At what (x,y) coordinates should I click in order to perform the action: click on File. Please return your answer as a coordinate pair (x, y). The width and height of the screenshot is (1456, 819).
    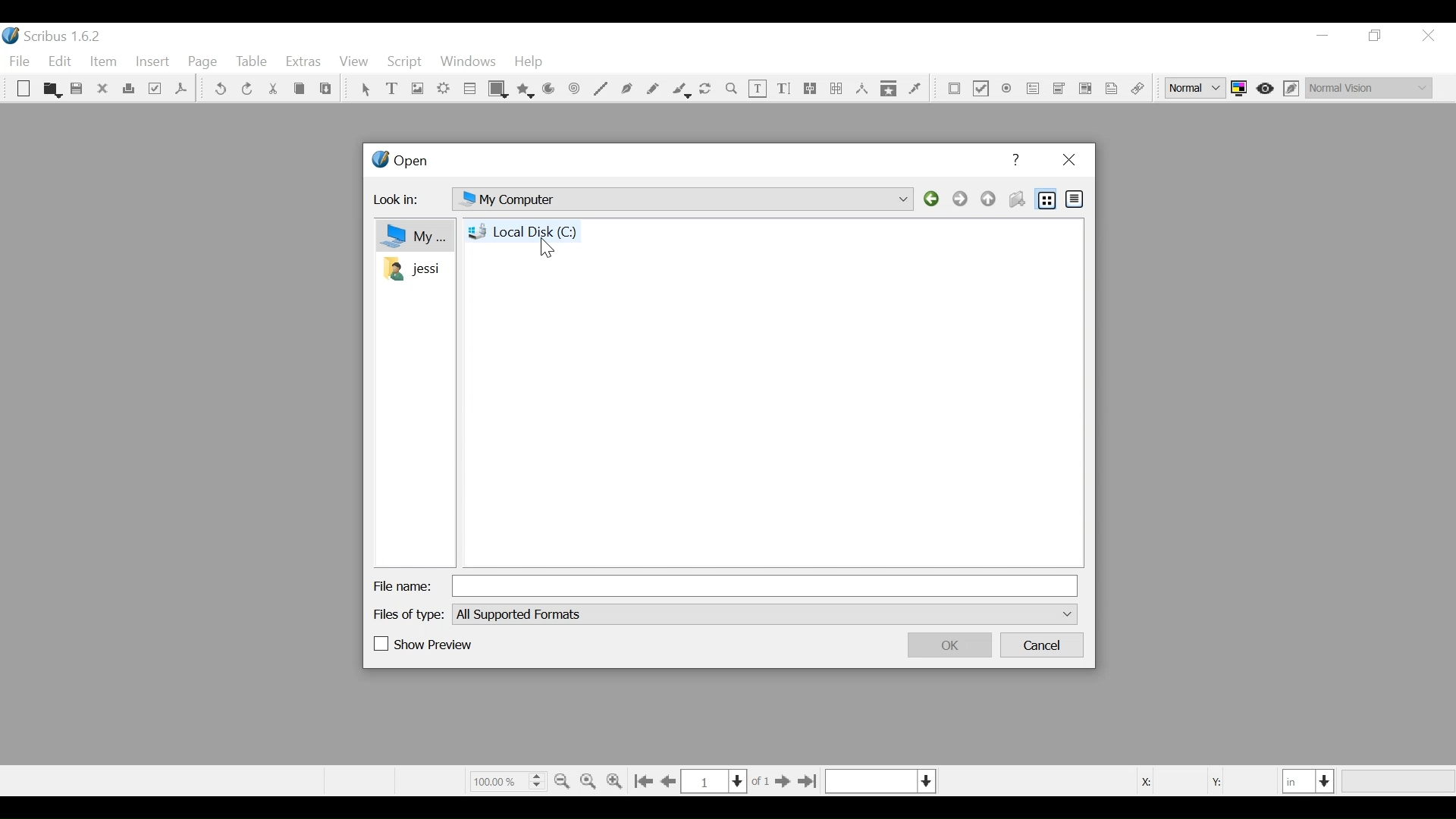
    Looking at the image, I should click on (22, 61).